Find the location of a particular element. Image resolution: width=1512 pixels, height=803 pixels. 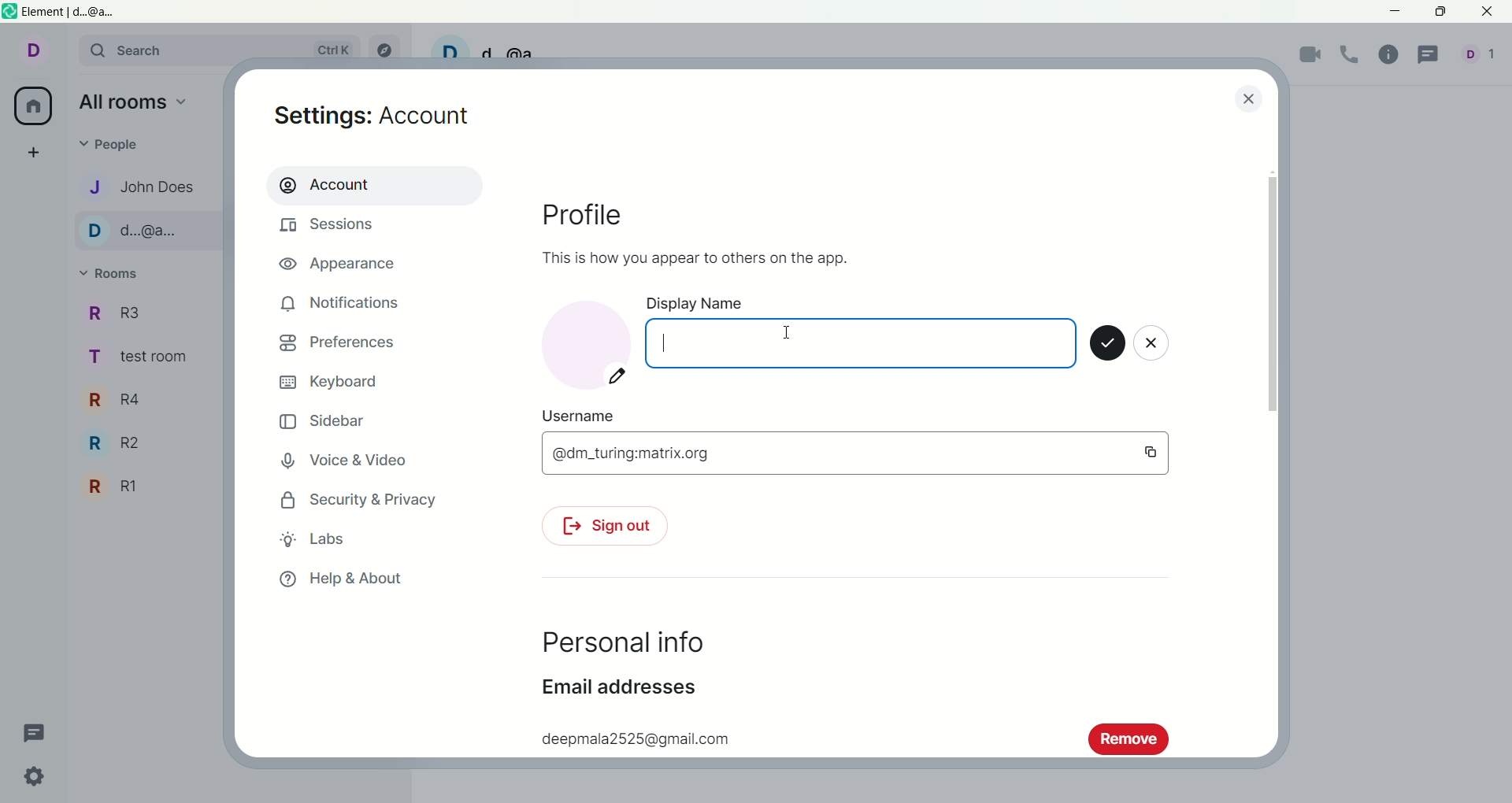

R3 is located at coordinates (125, 313).